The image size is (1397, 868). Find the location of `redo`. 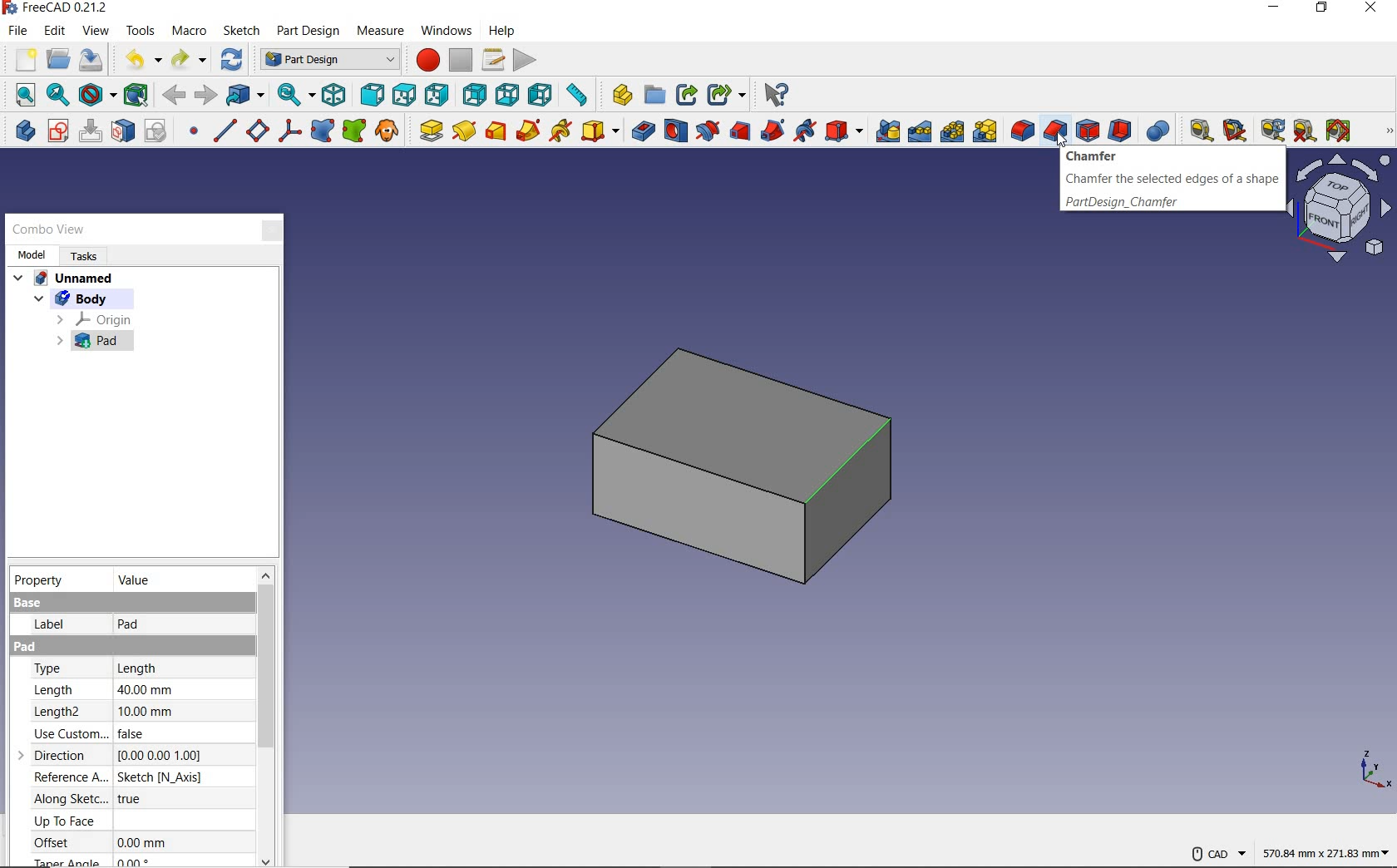

redo is located at coordinates (190, 60).